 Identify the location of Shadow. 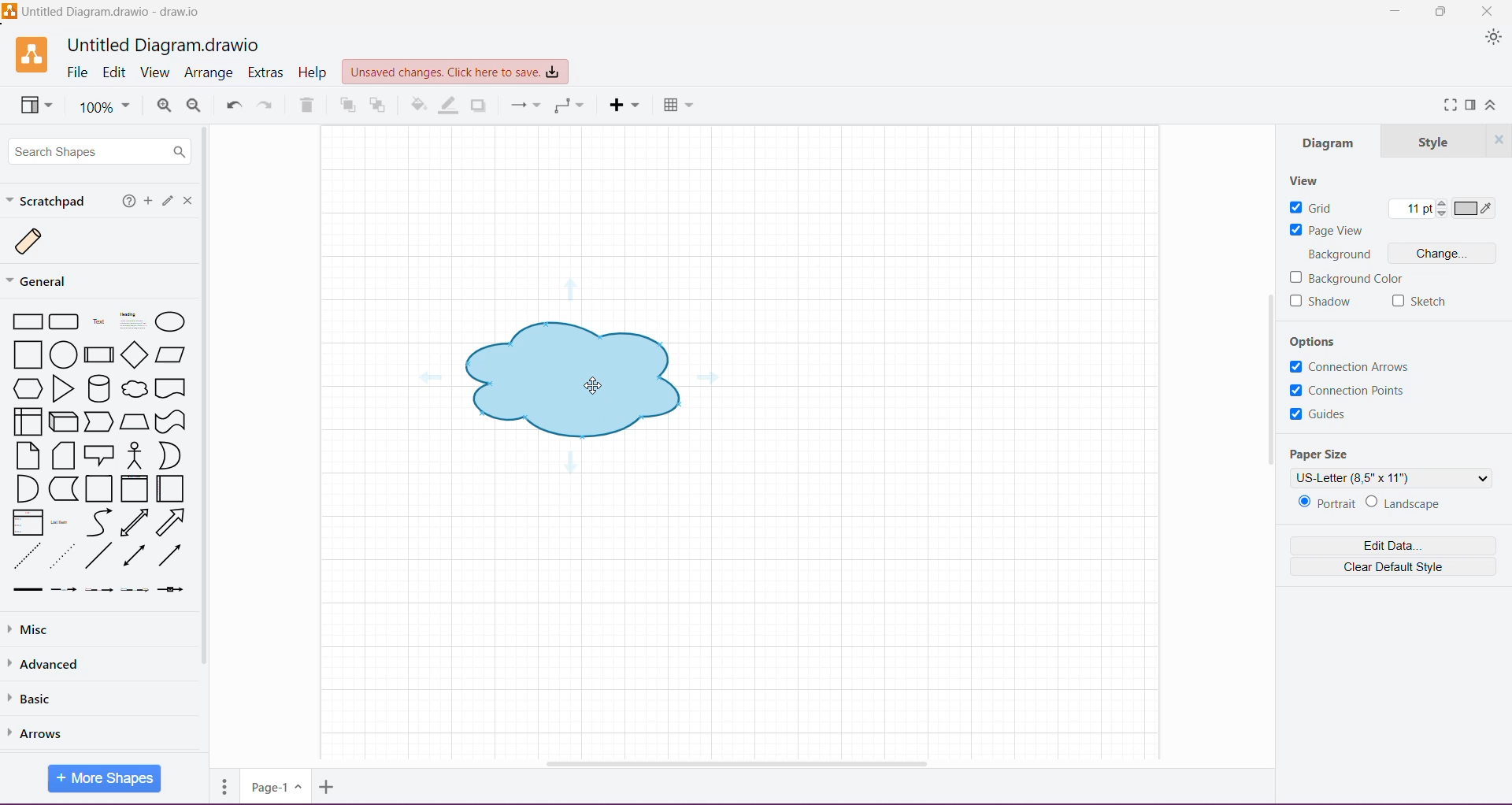
(1321, 302).